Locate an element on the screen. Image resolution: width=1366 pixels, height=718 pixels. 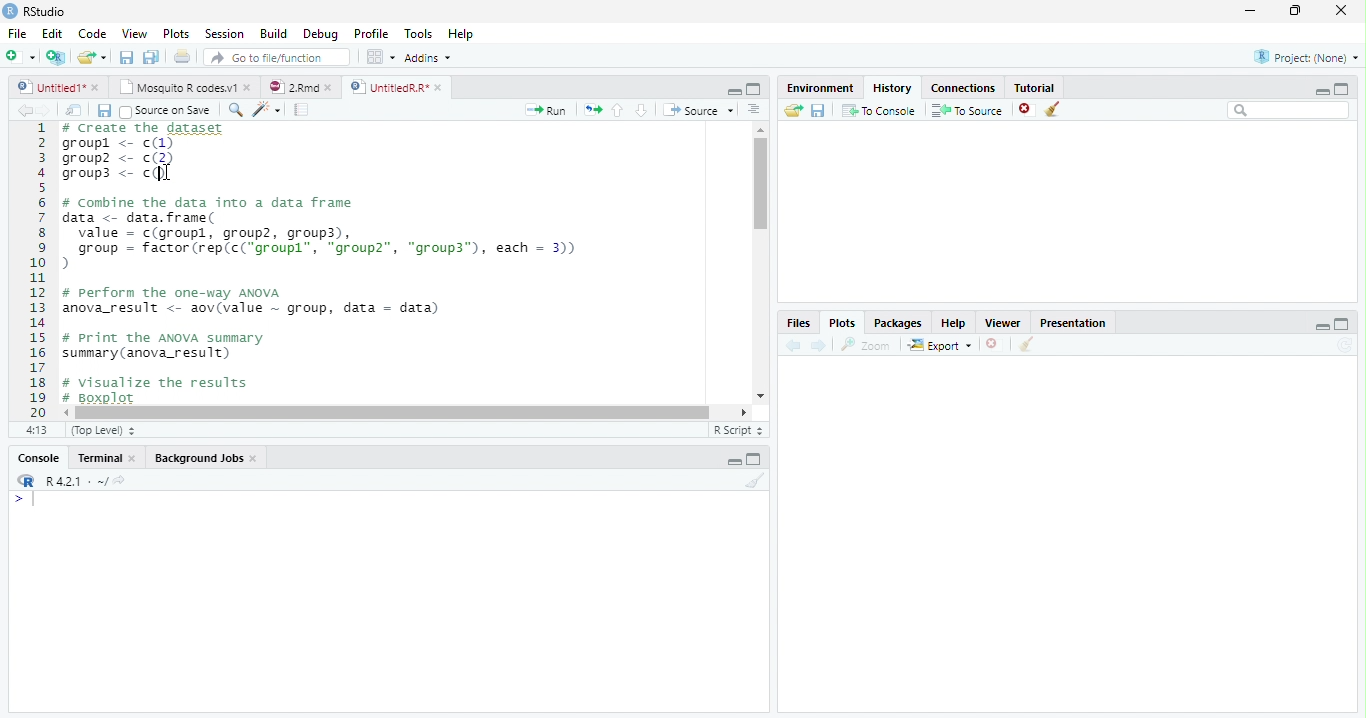
2Rmd is located at coordinates (299, 85).